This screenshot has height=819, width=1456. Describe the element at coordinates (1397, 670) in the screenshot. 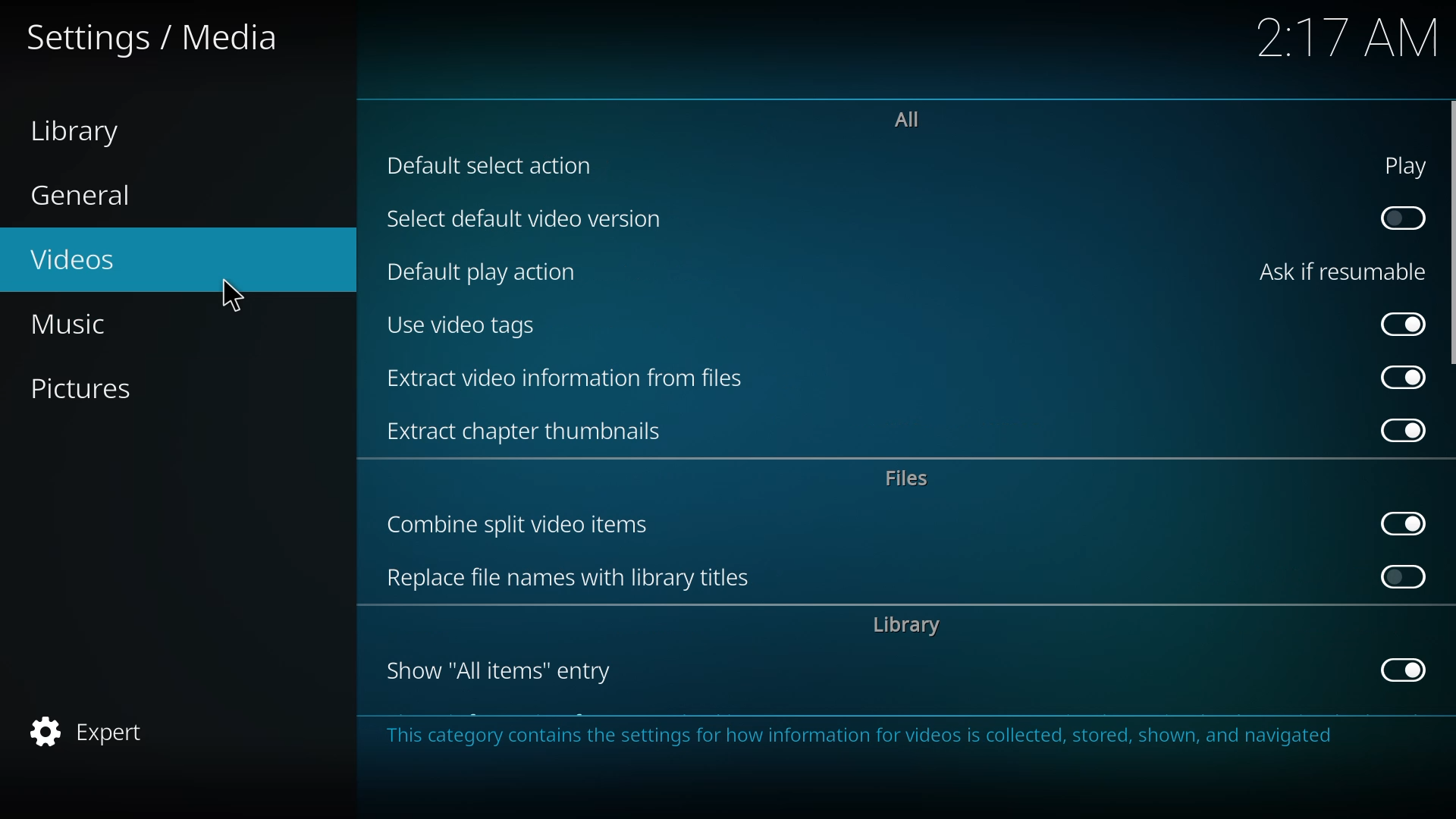

I see `enabled` at that location.